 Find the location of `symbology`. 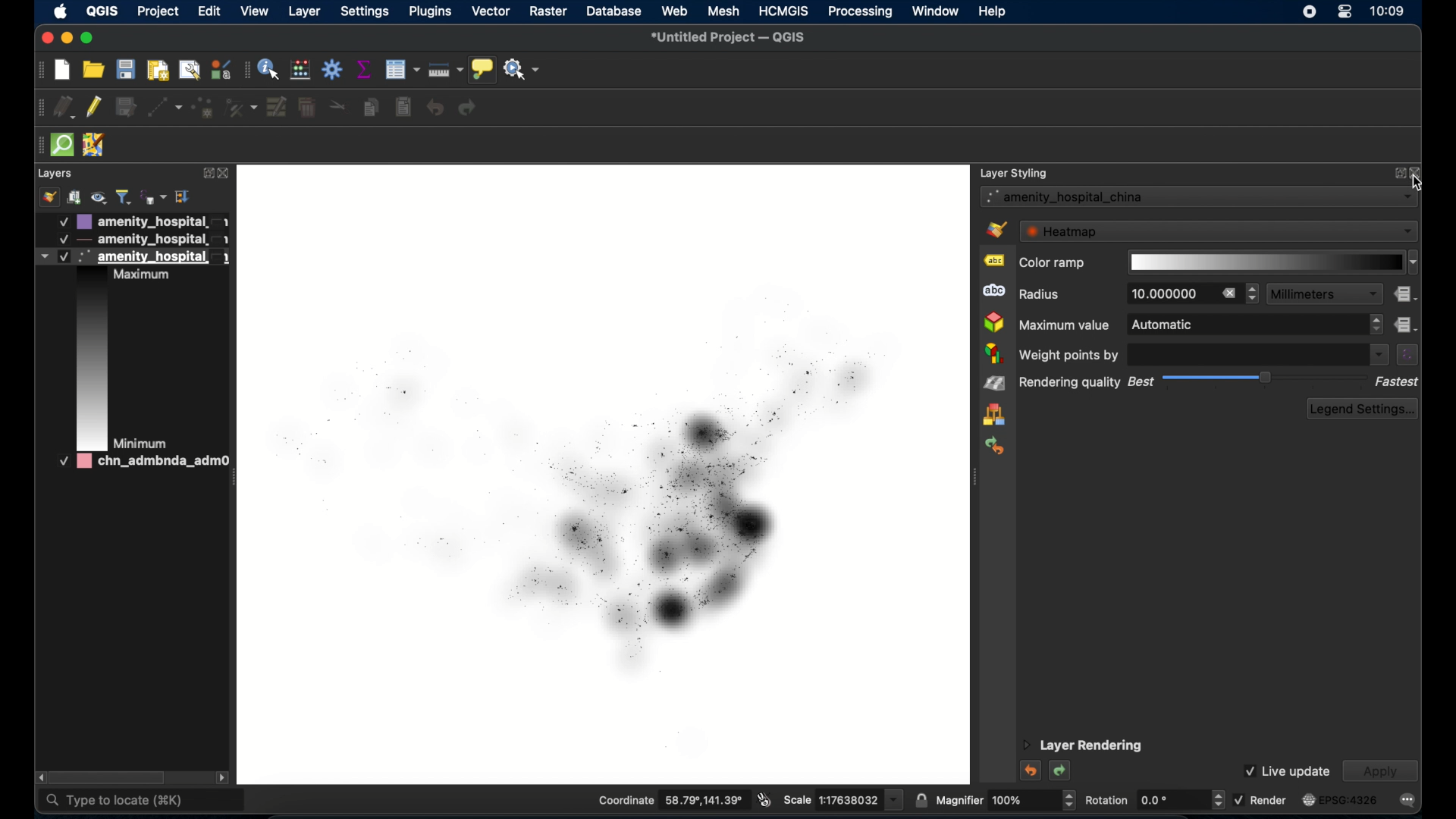

symbology is located at coordinates (999, 230).